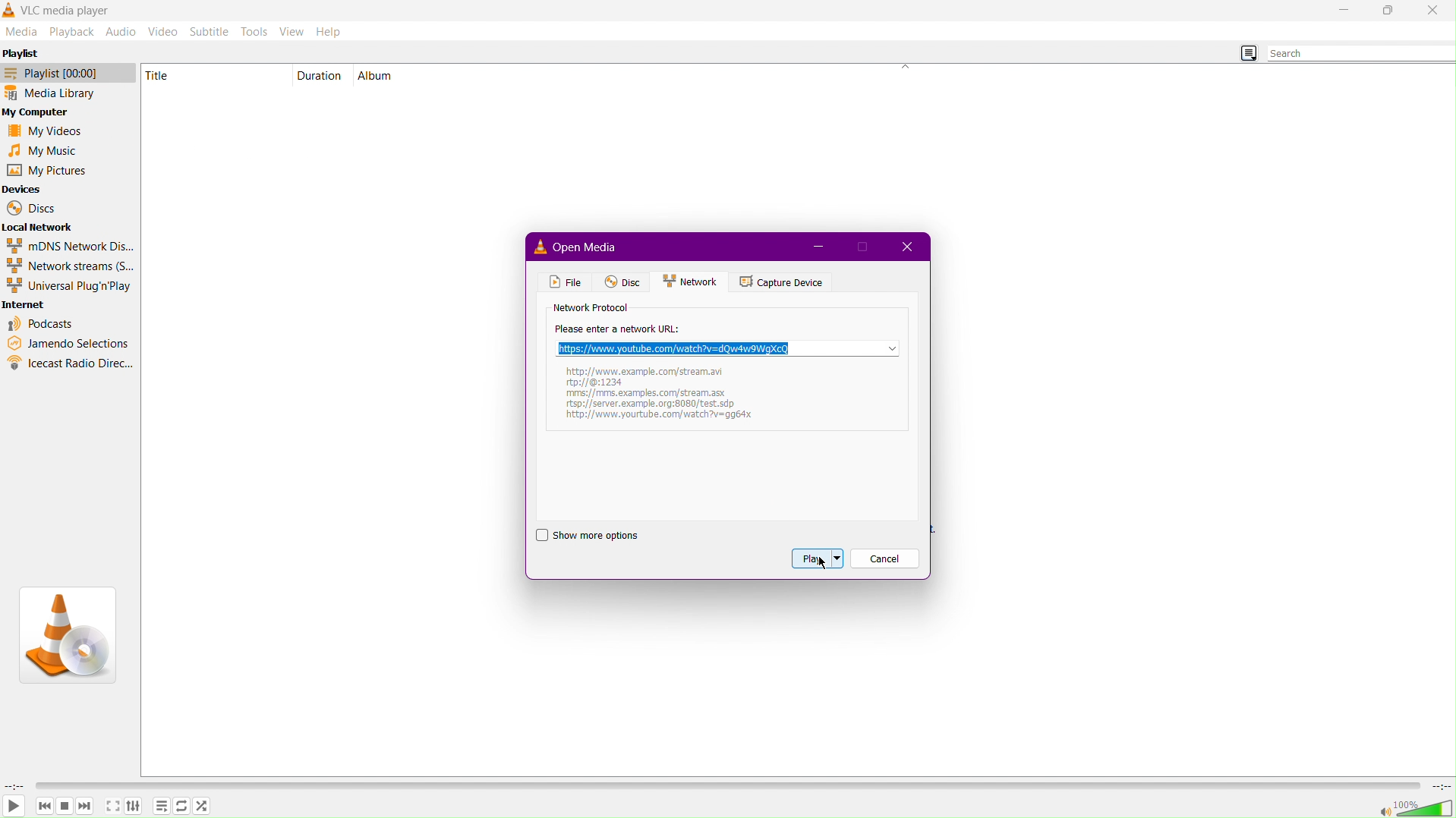 This screenshot has width=1456, height=818. I want to click on Playlist, so click(68, 75).